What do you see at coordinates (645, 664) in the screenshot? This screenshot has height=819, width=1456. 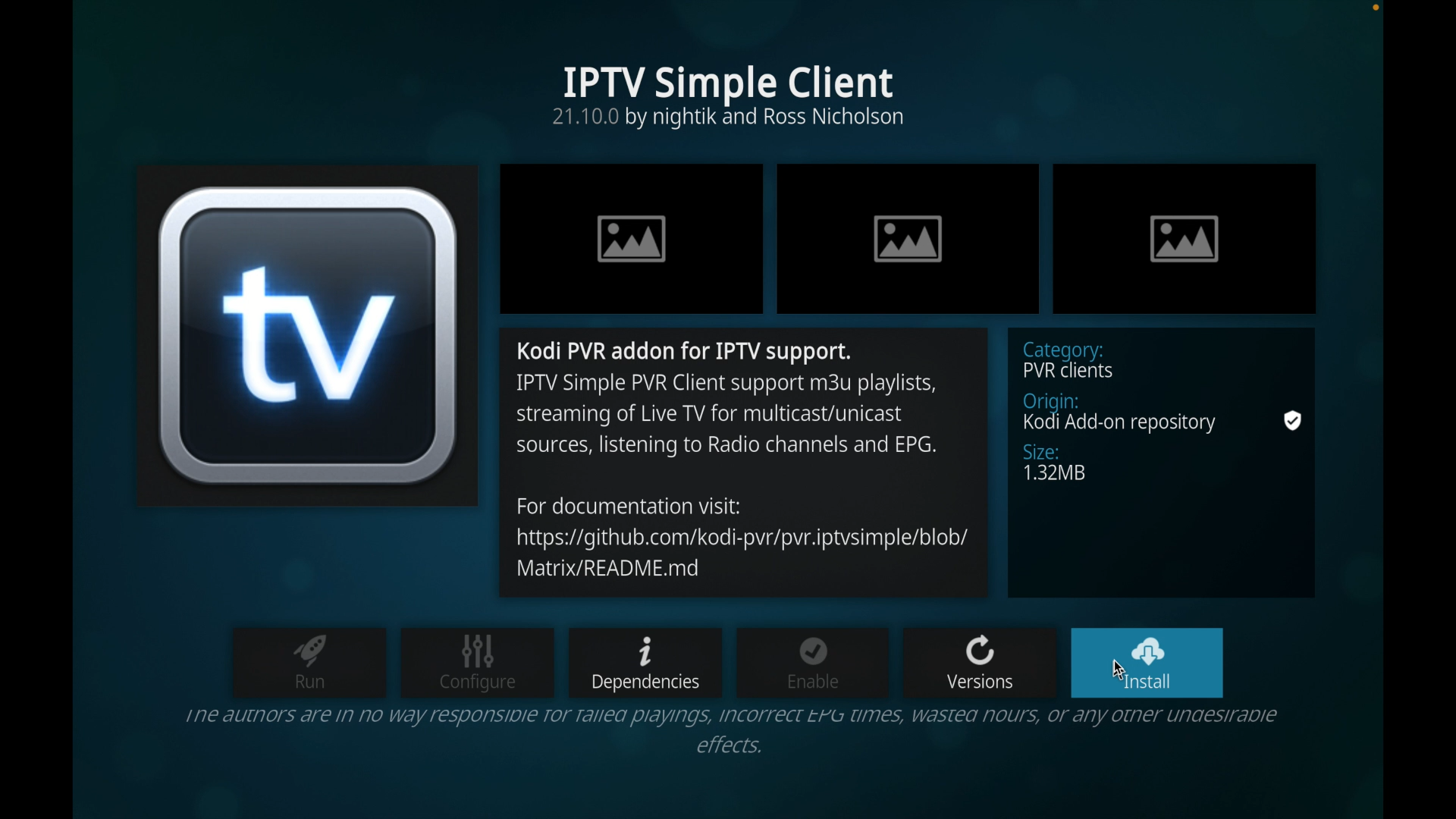 I see `dependencies` at bounding box center [645, 664].